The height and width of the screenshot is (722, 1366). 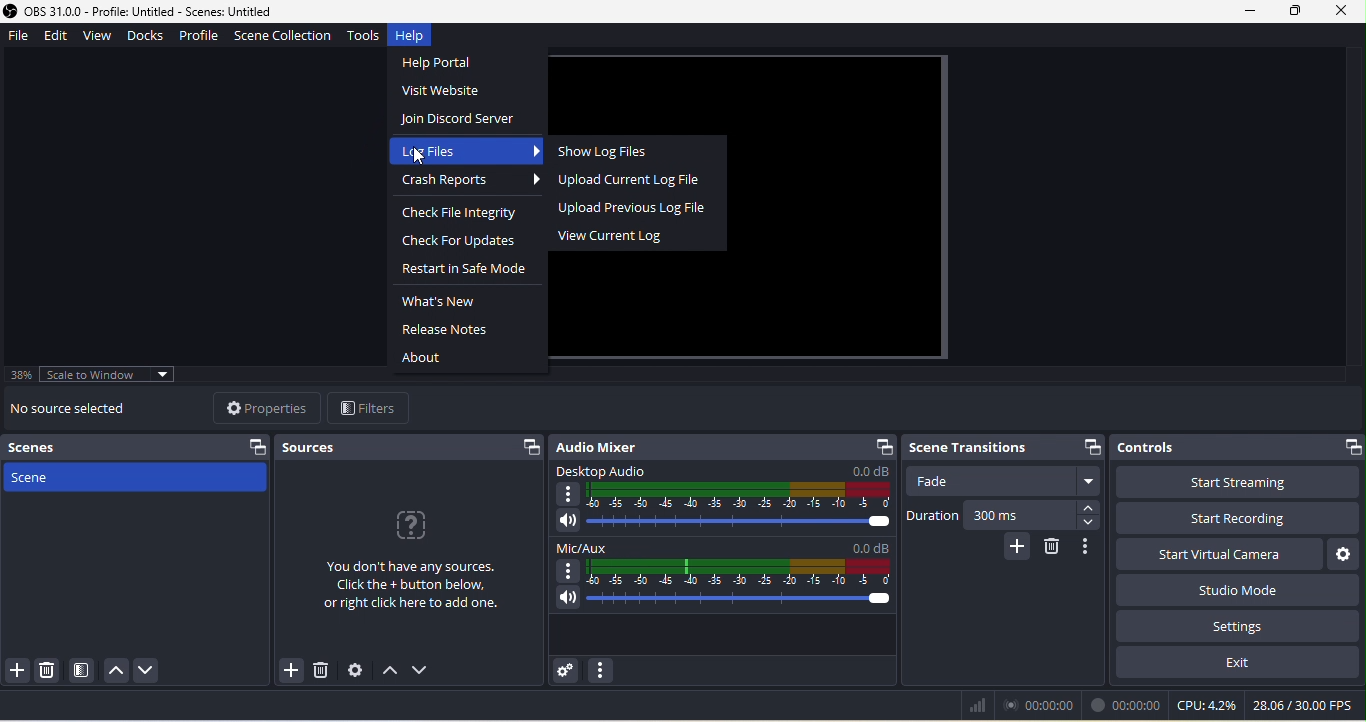 What do you see at coordinates (1235, 627) in the screenshot?
I see `setting` at bounding box center [1235, 627].